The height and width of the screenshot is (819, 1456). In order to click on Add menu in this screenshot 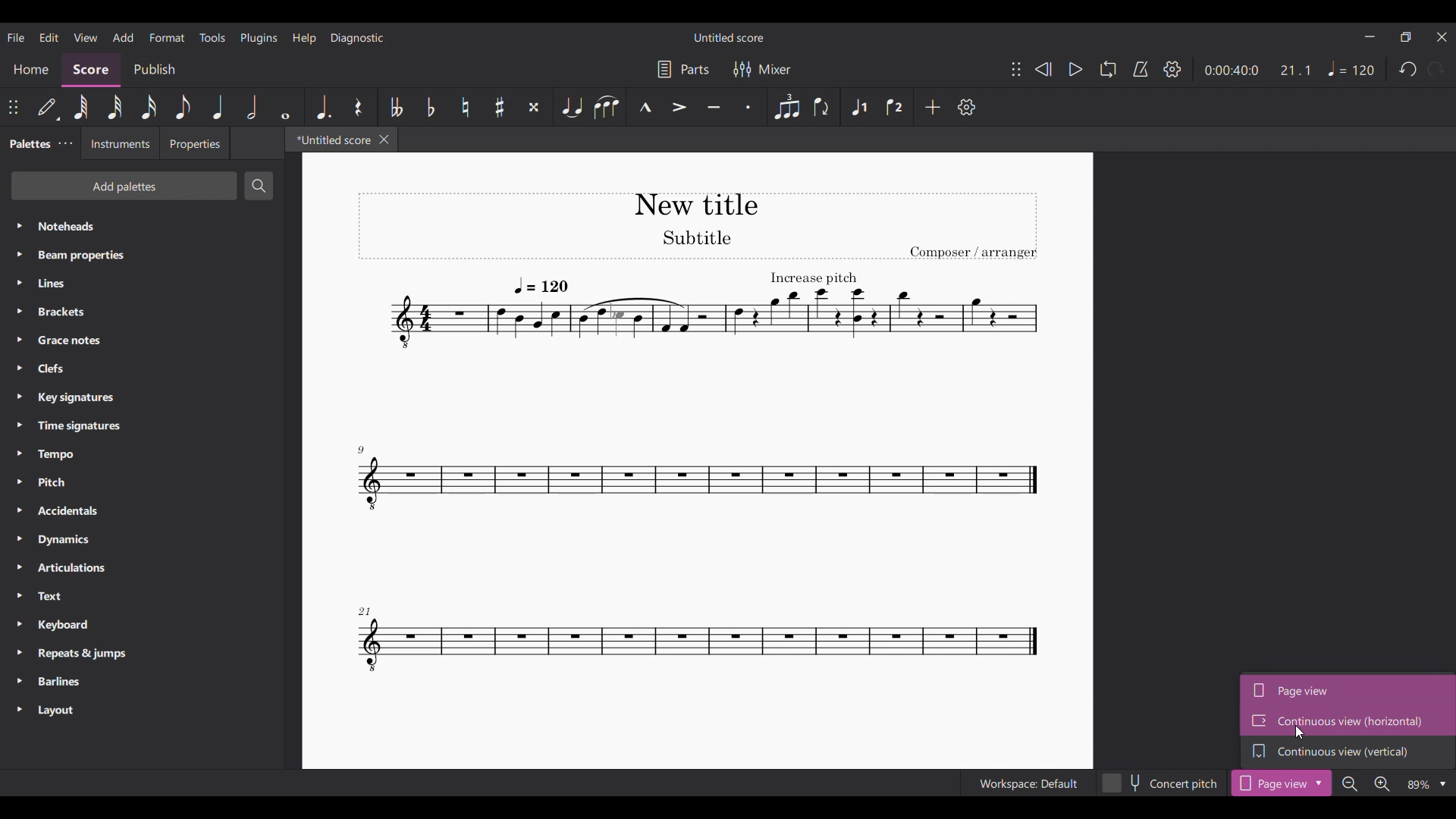, I will do `click(122, 36)`.